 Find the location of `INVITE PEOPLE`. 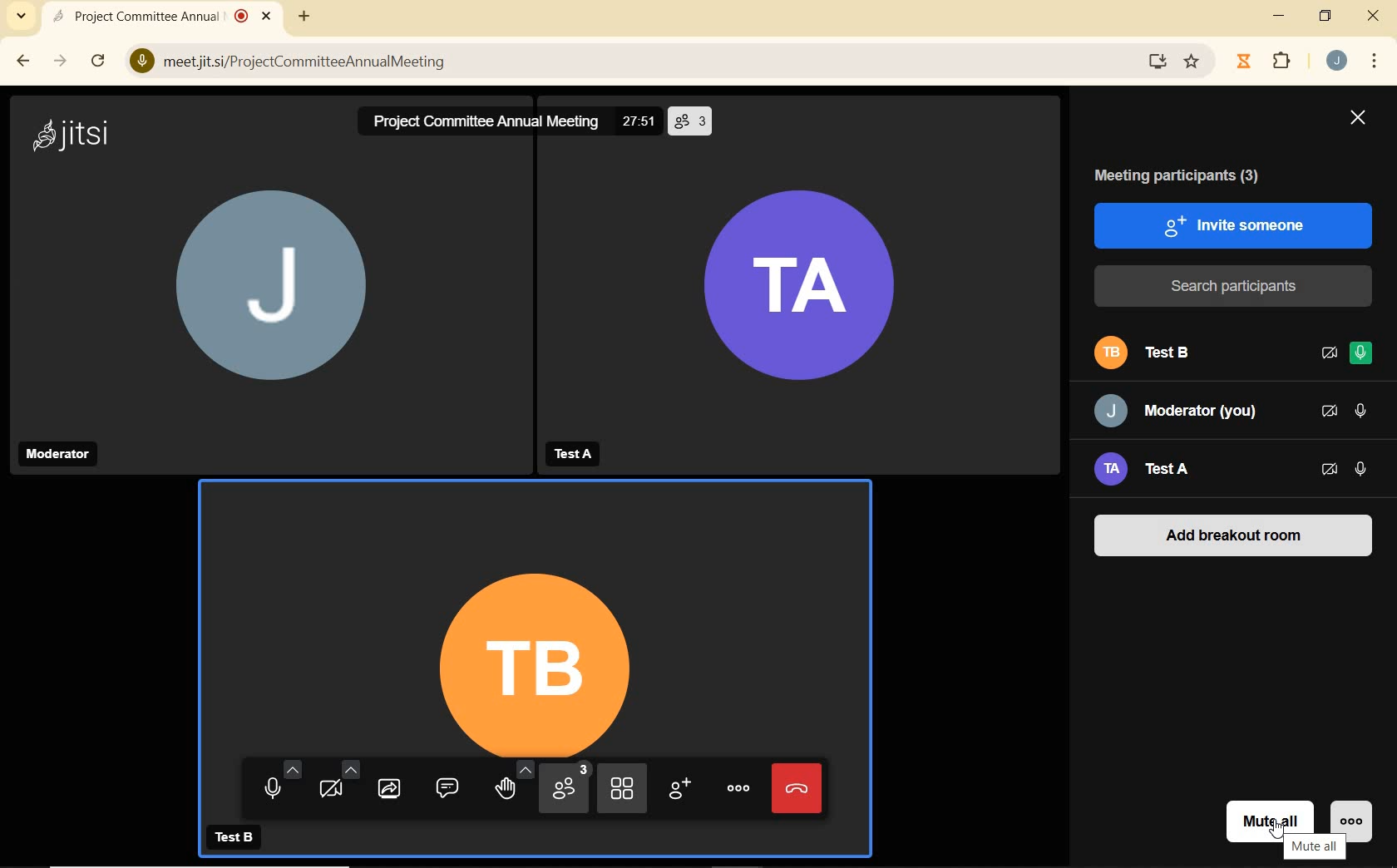

INVITE PEOPLE is located at coordinates (677, 787).